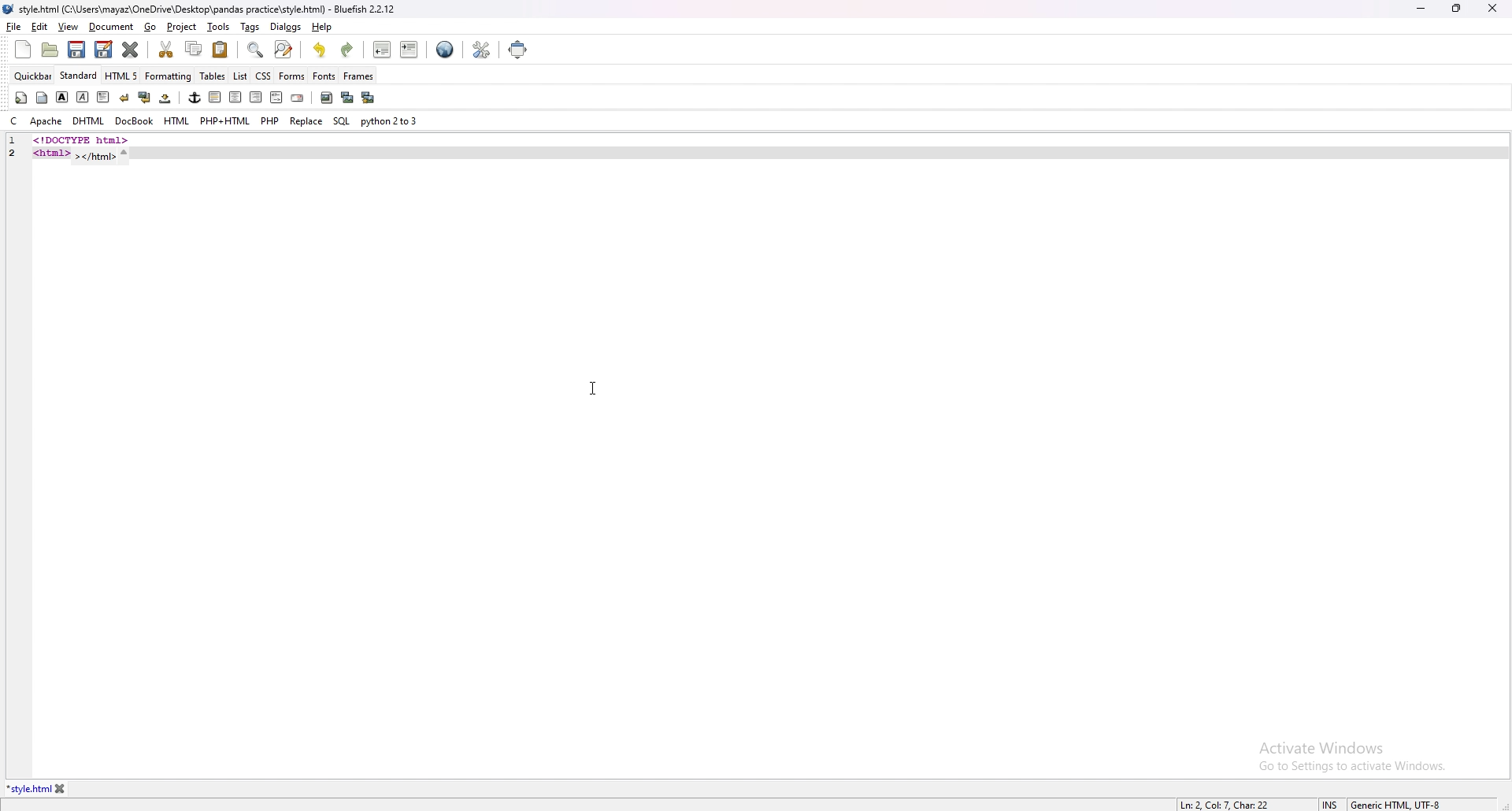 The image size is (1512, 811). What do you see at coordinates (134, 121) in the screenshot?
I see `docbook` at bounding box center [134, 121].